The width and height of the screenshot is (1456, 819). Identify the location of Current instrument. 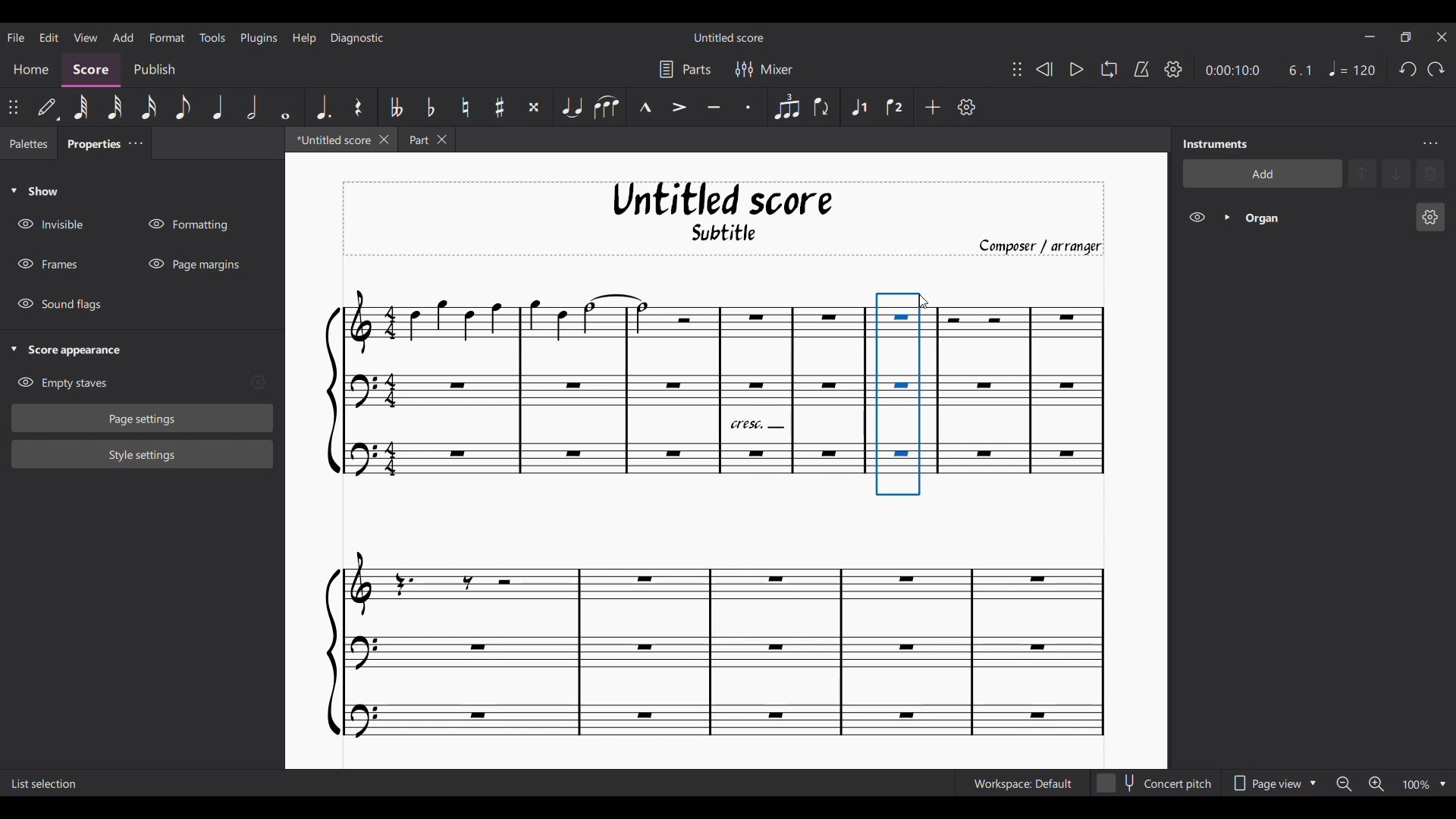
(1324, 218).